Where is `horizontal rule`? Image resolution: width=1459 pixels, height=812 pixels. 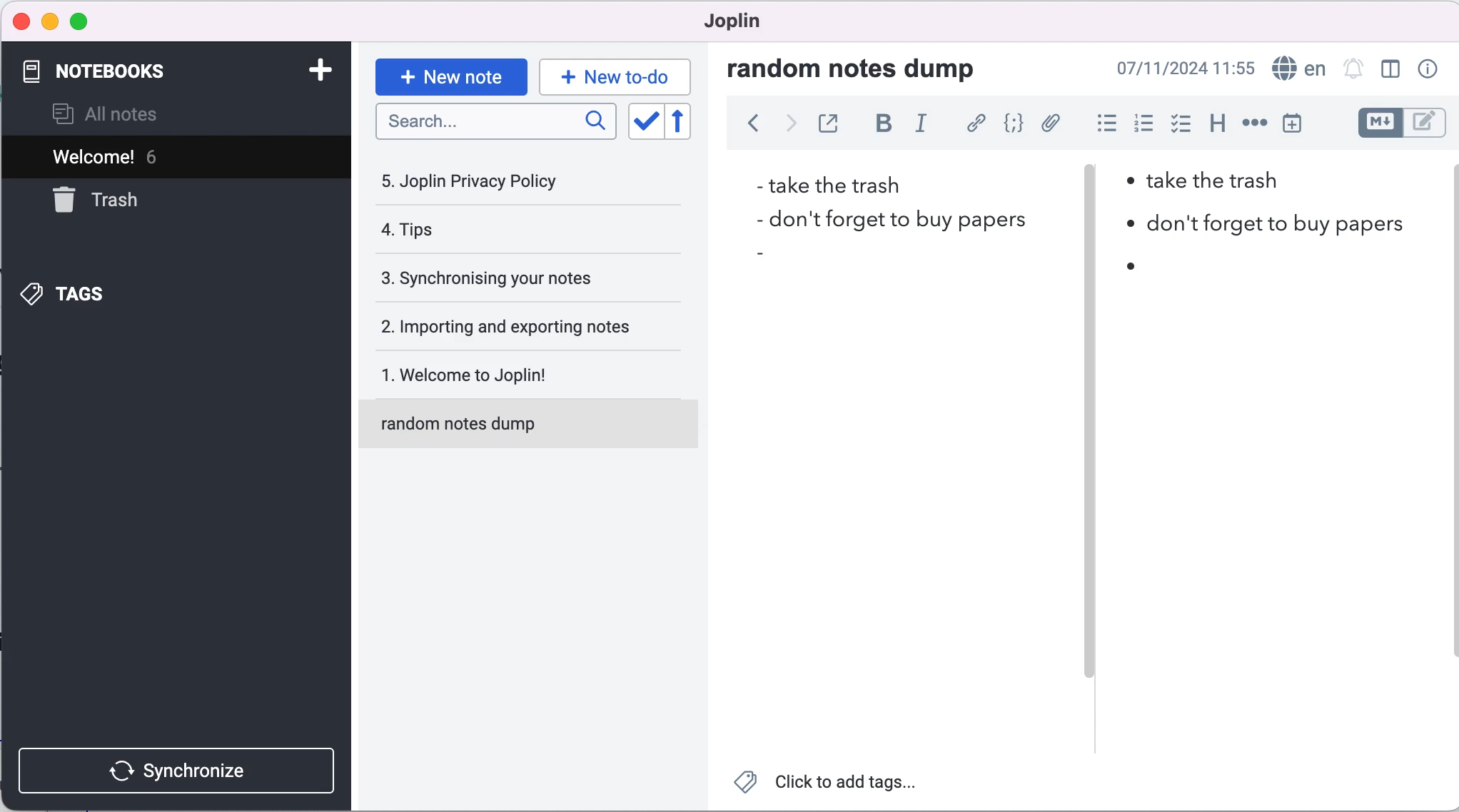
horizontal rule is located at coordinates (1254, 123).